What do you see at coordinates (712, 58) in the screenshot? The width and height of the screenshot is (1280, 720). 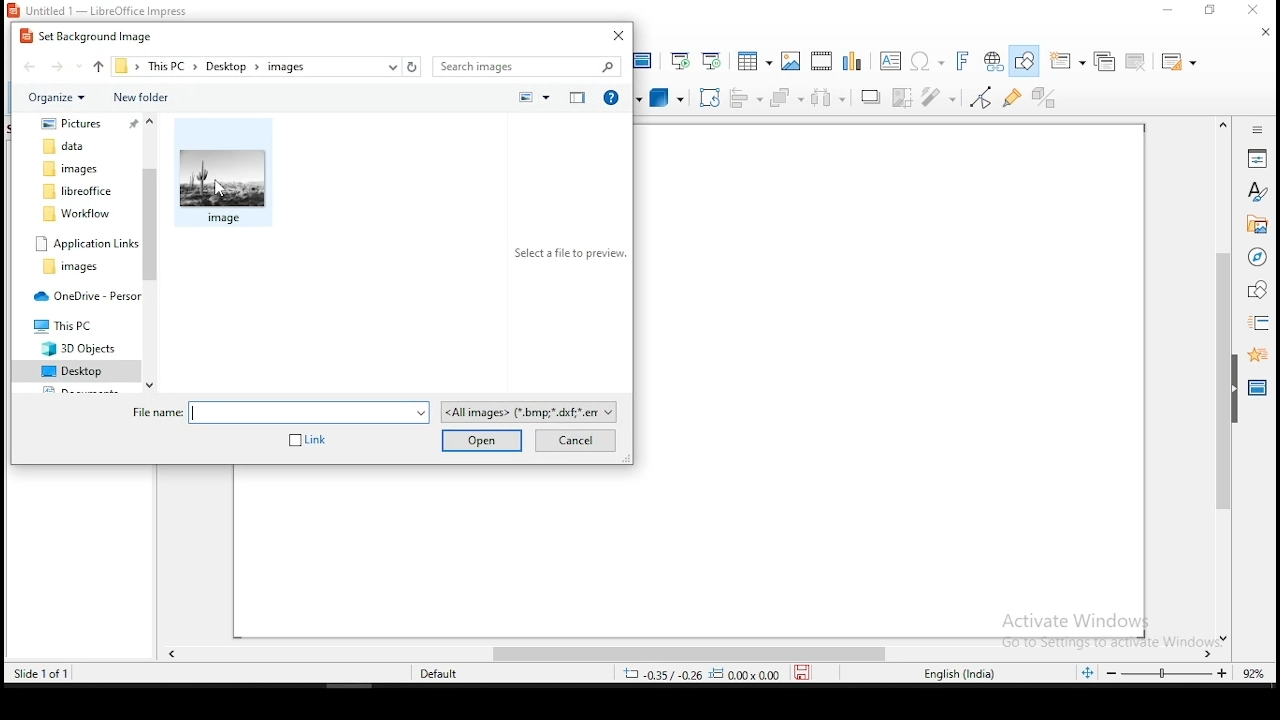 I see `start from current slide` at bounding box center [712, 58].